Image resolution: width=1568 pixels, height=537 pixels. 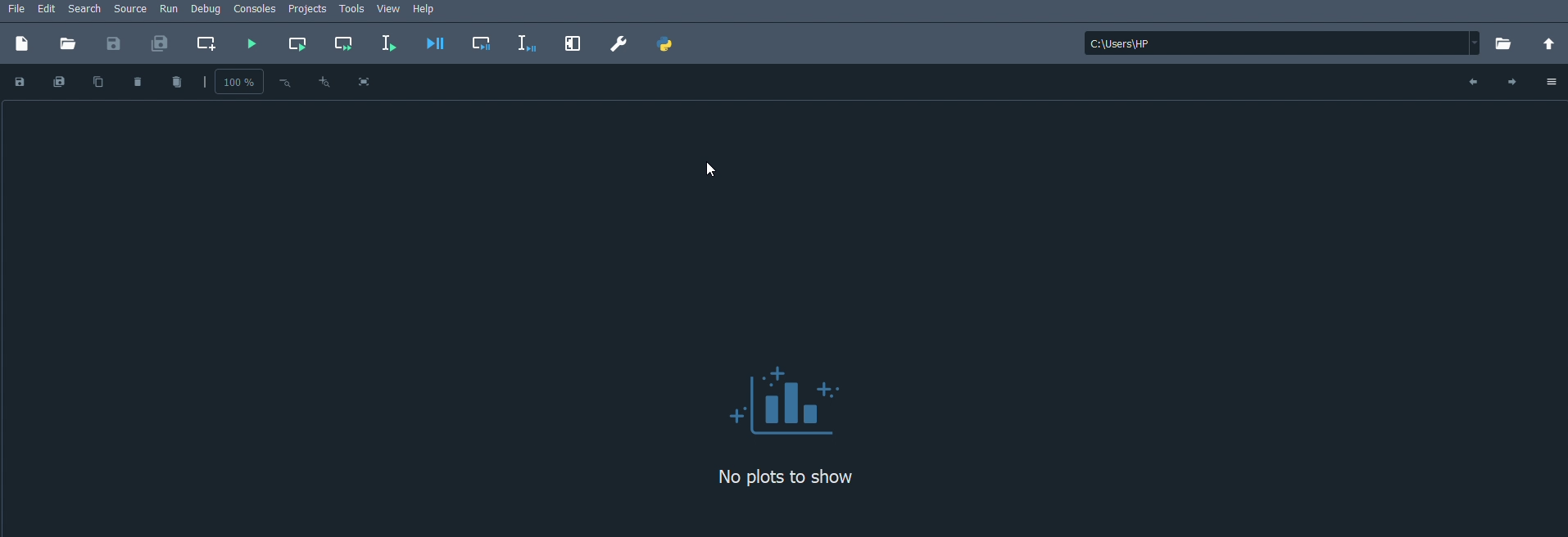 I want to click on zoom in, so click(x=324, y=81).